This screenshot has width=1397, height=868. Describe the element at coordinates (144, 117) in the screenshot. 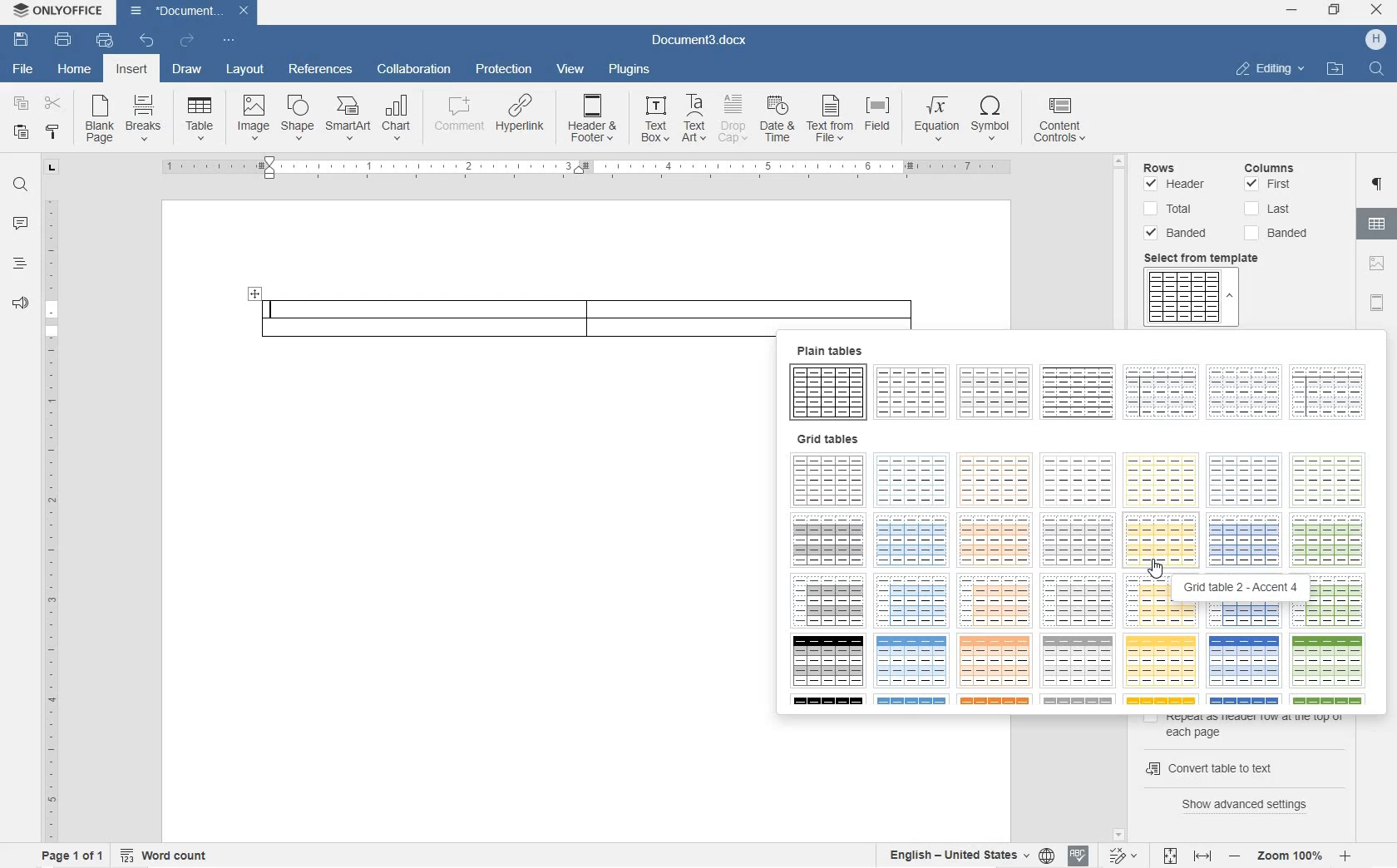

I see `Breaks` at that location.